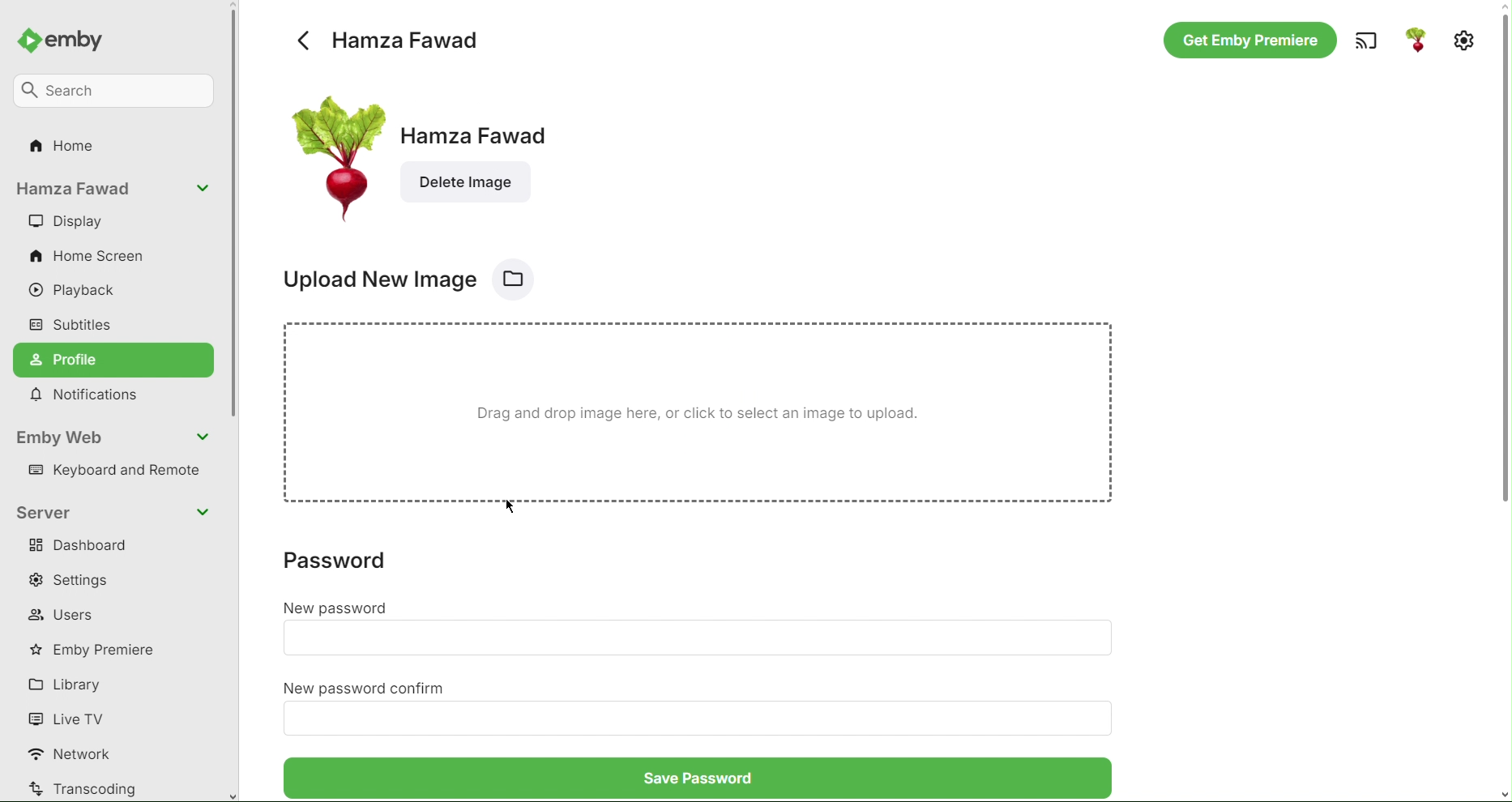  Describe the element at coordinates (1416, 41) in the screenshot. I see `New Profile Image` at that location.